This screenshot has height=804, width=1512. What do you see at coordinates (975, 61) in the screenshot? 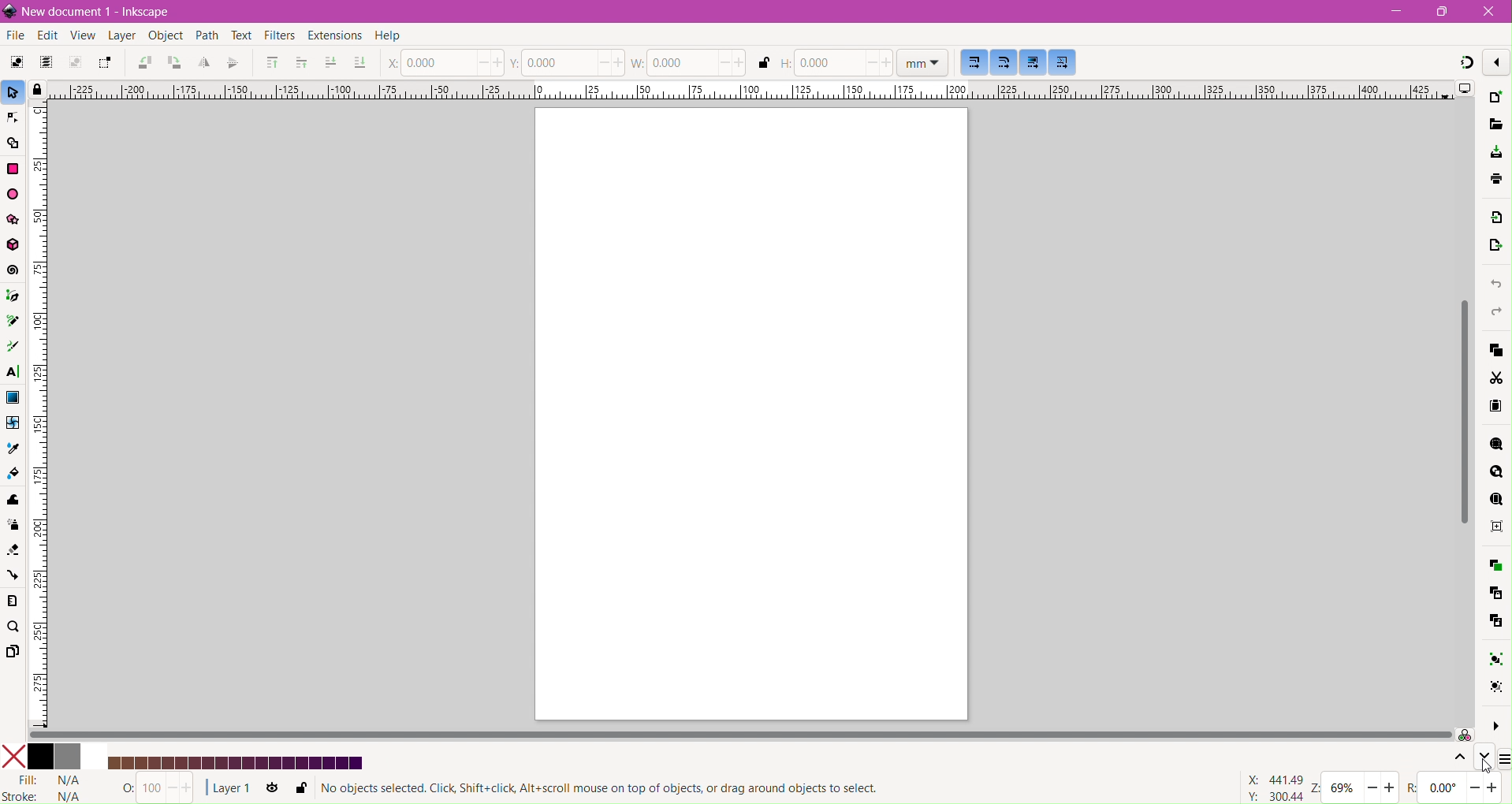
I see `When scaling objects, scale the stroke width by the same proportion` at bounding box center [975, 61].